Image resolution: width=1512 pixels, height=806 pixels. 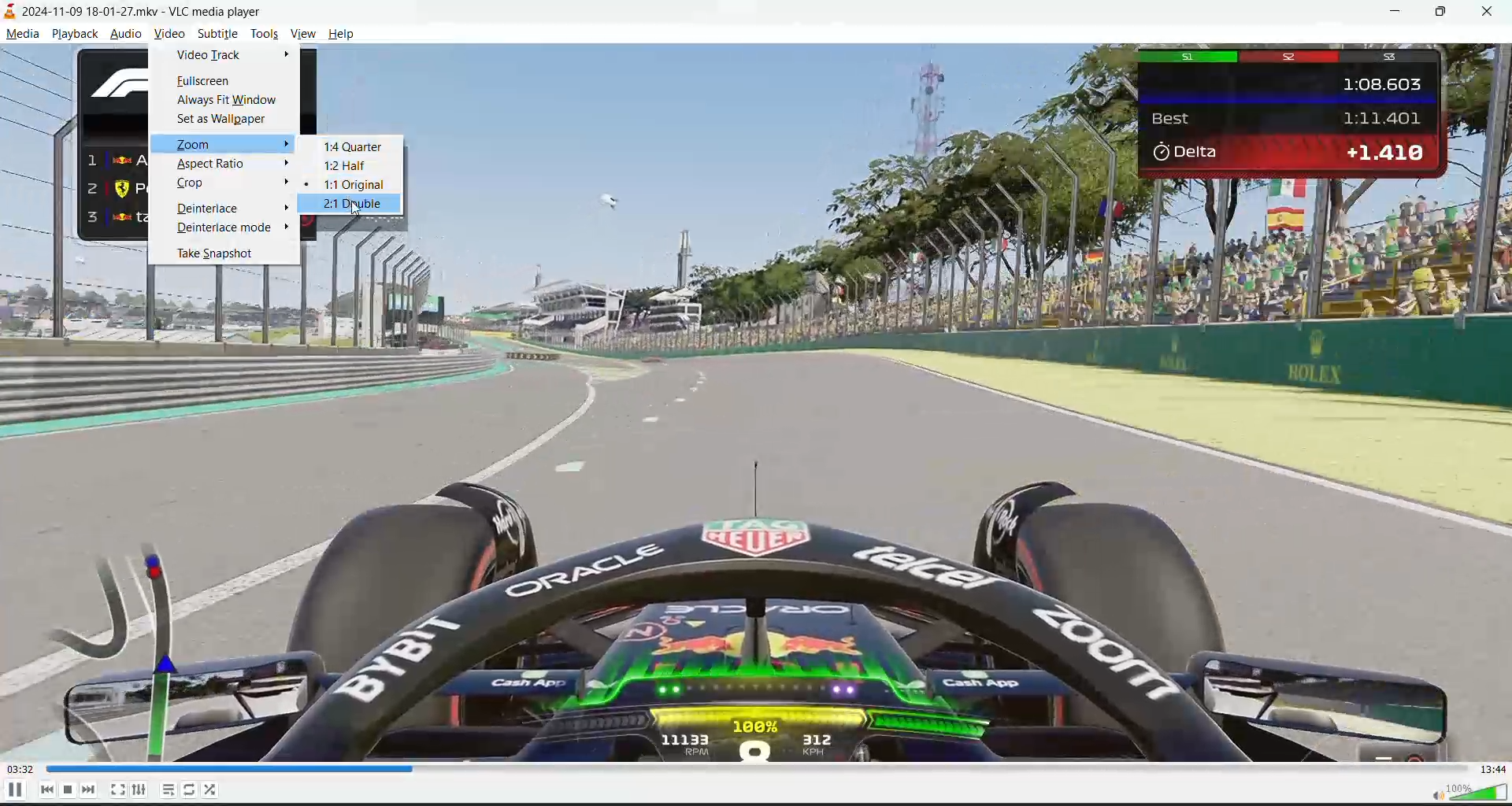 I want to click on pause, so click(x=13, y=789).